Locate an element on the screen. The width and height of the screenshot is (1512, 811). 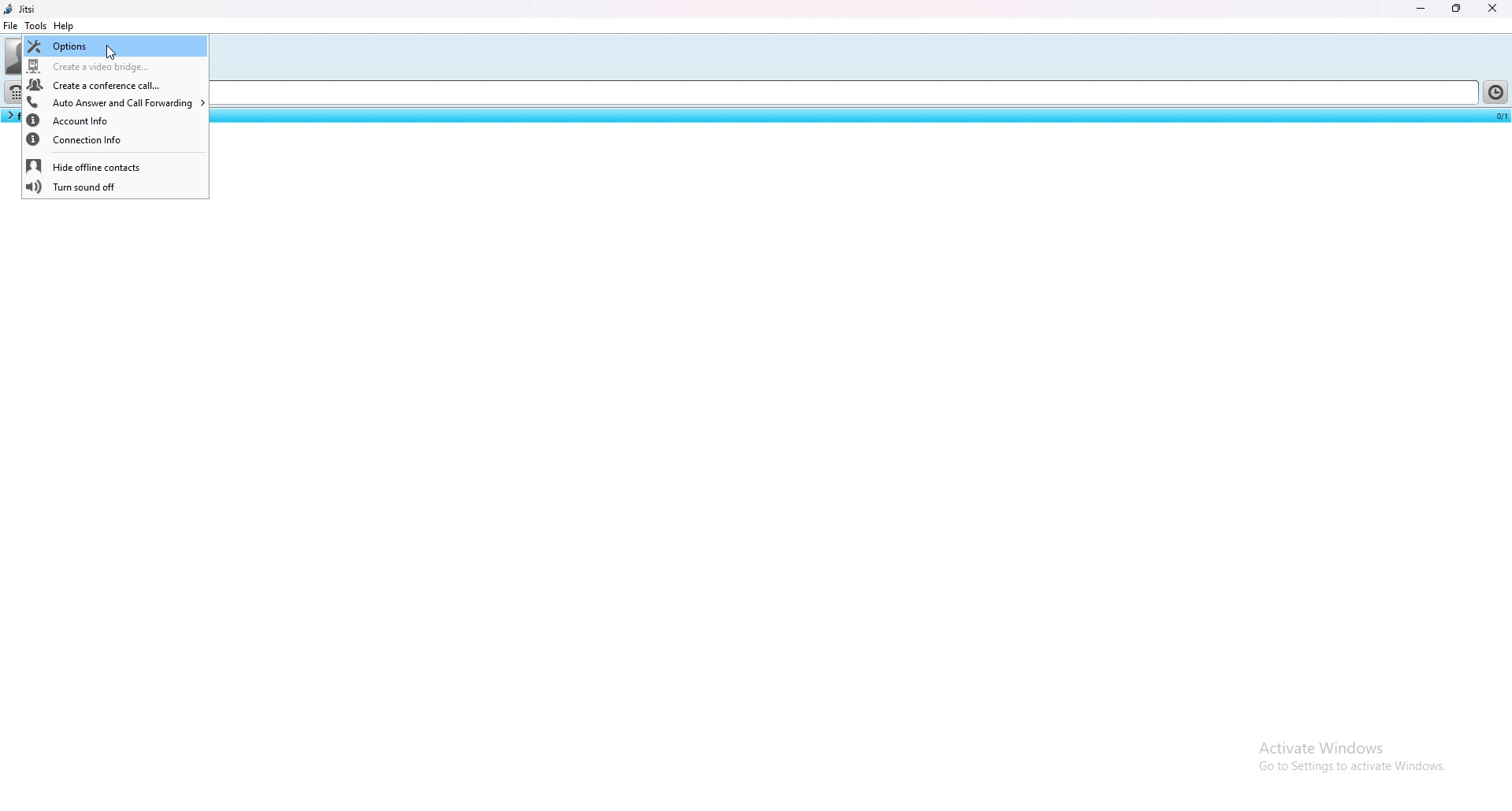
tools is located at coordinates (35, 25).